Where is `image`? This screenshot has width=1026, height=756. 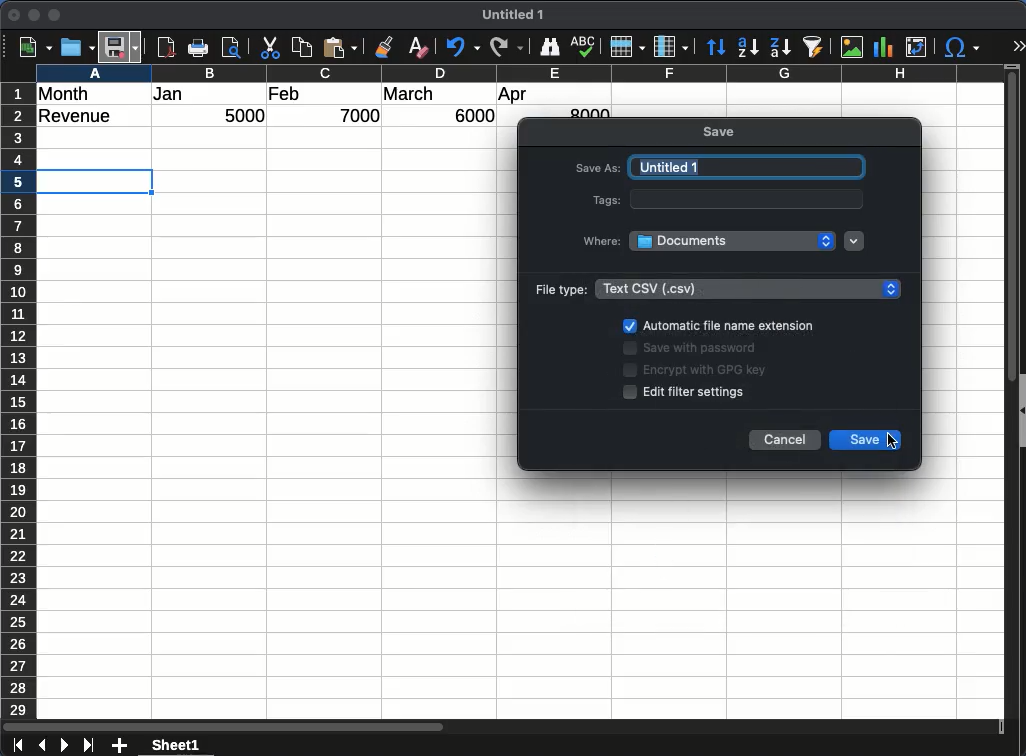 image is located at coordinates (851, 47).